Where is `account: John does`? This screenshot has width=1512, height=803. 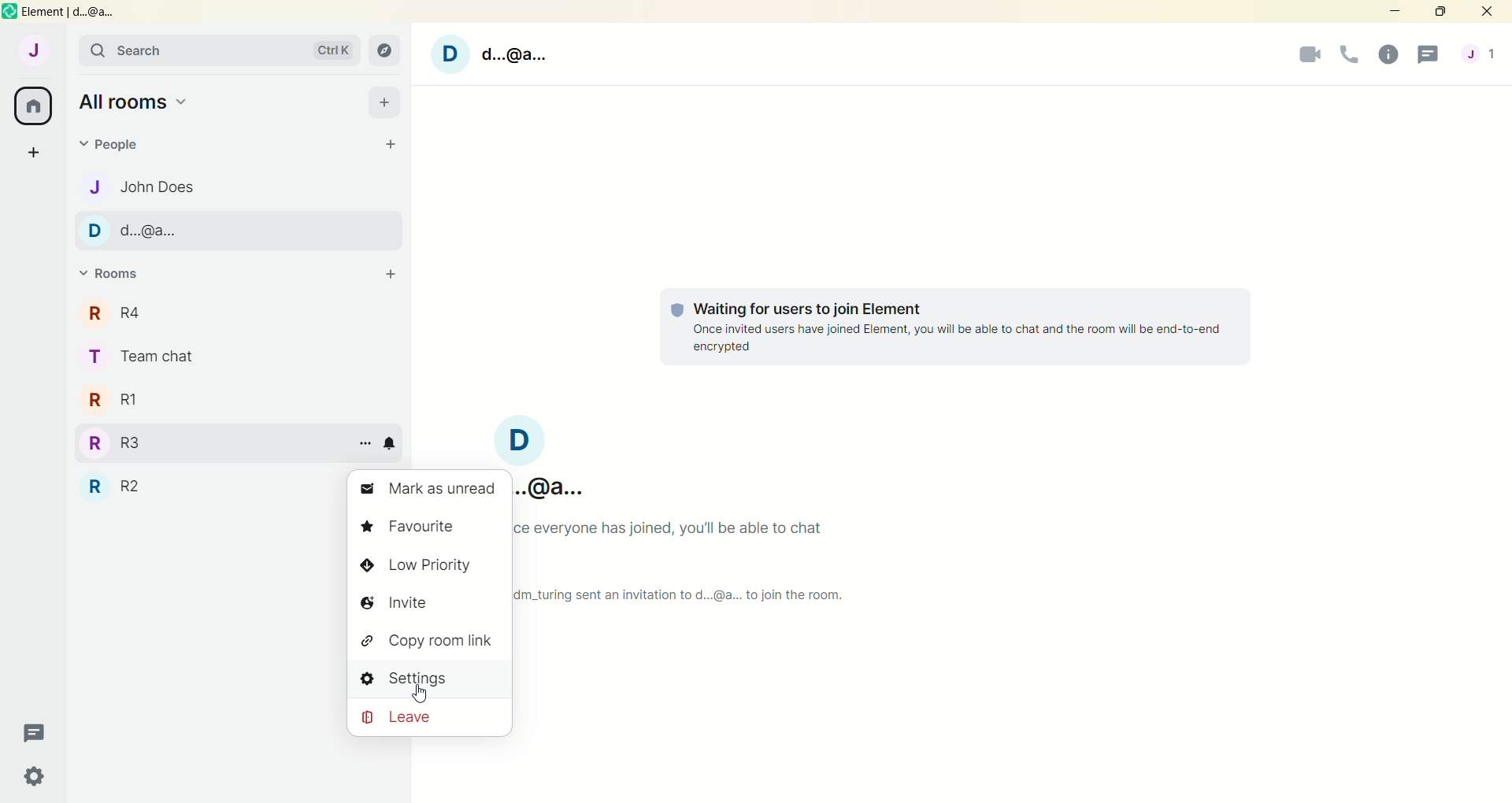 account: John does is located at coordinates (35, 54).